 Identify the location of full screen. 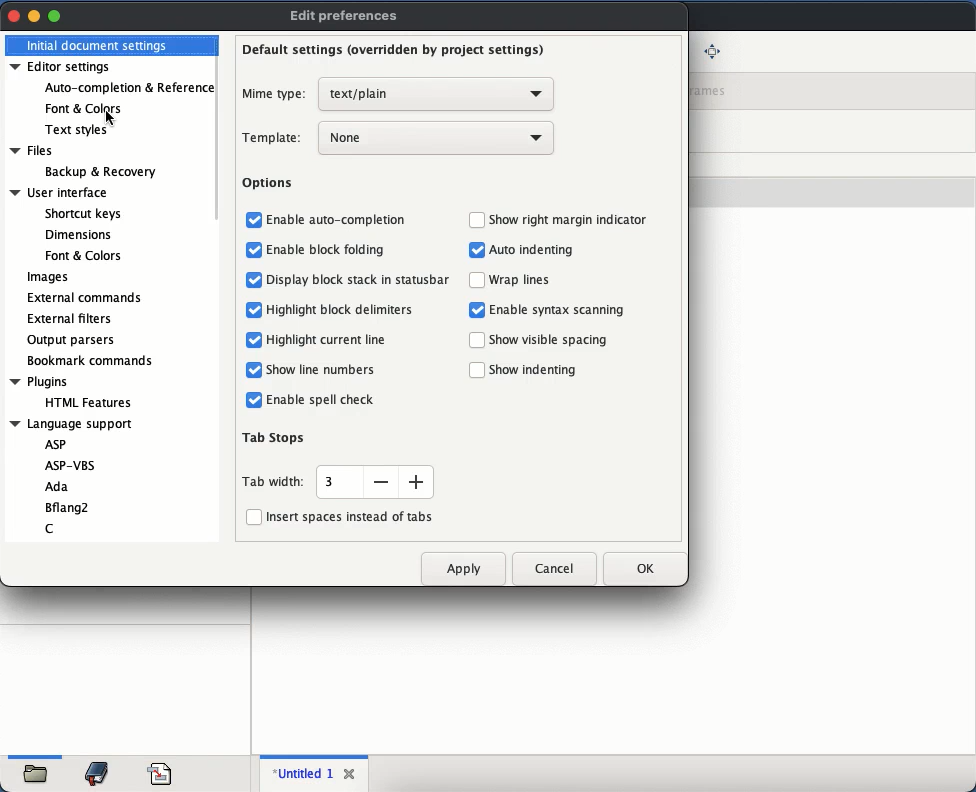
(712, 50).